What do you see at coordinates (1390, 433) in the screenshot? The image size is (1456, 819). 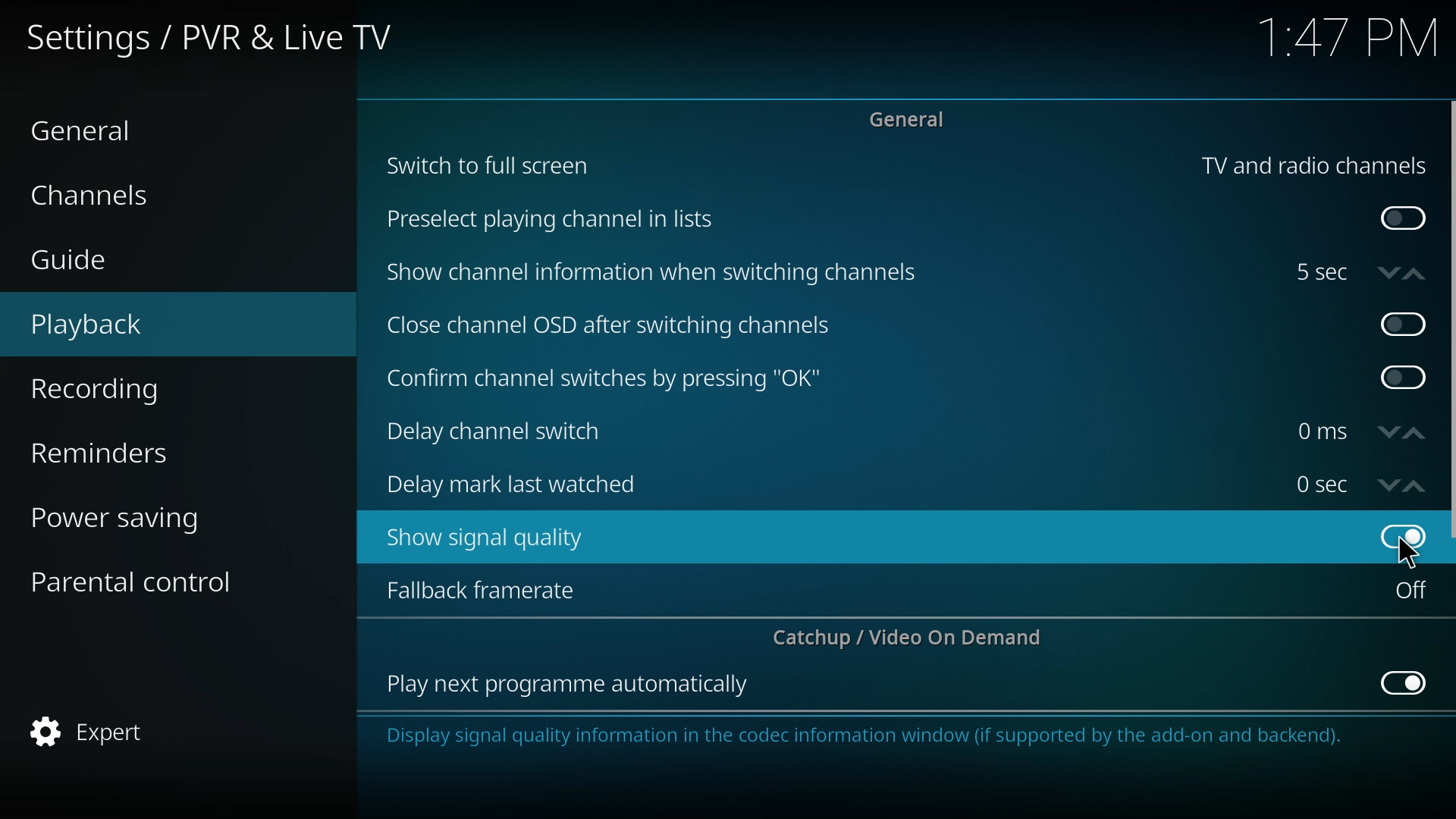 I see `decrease time` at bounding box center [1390, 433].